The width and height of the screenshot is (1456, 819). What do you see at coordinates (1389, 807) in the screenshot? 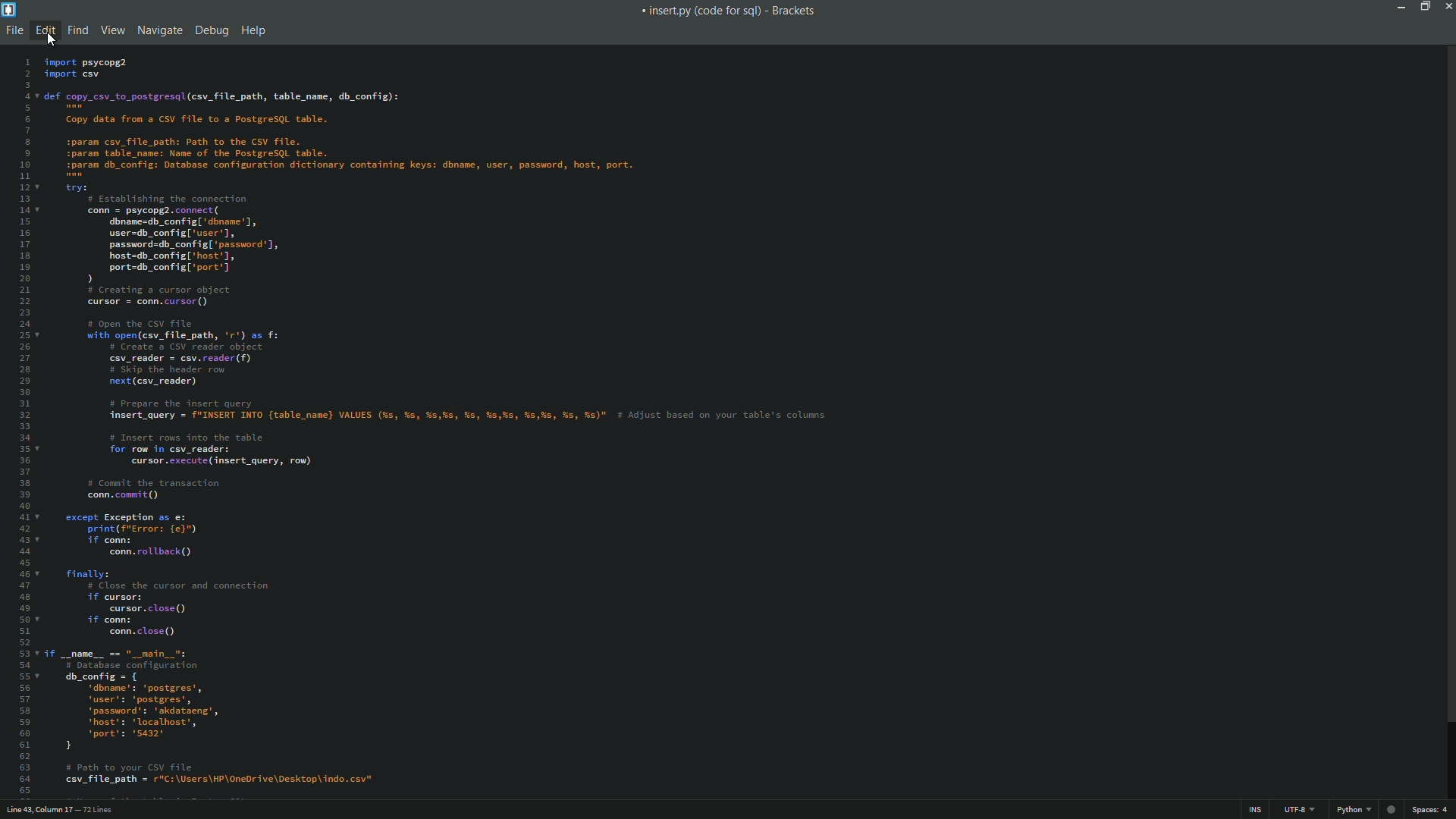
I see `web` at bounding box center [1389, 807].